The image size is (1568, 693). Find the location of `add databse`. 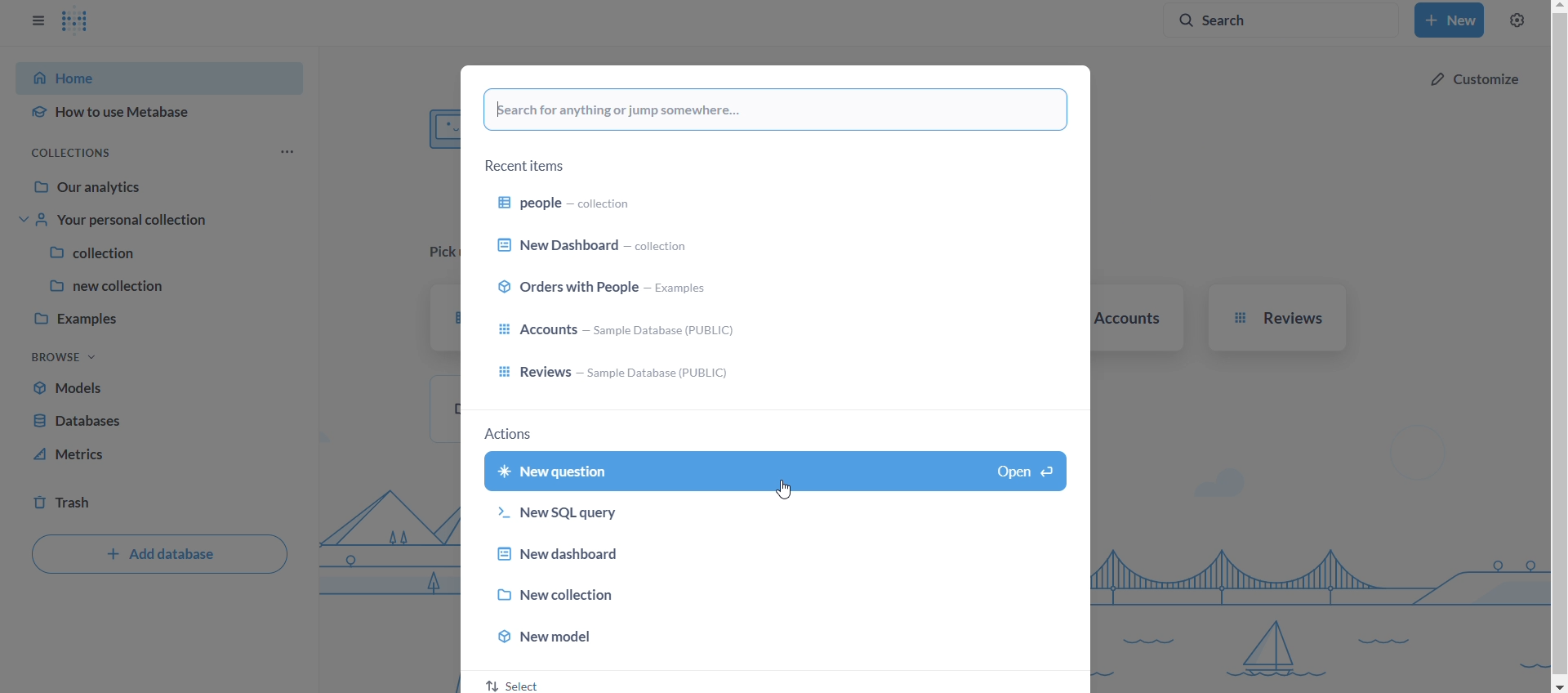

add databse is located at coordinates (158, 553).